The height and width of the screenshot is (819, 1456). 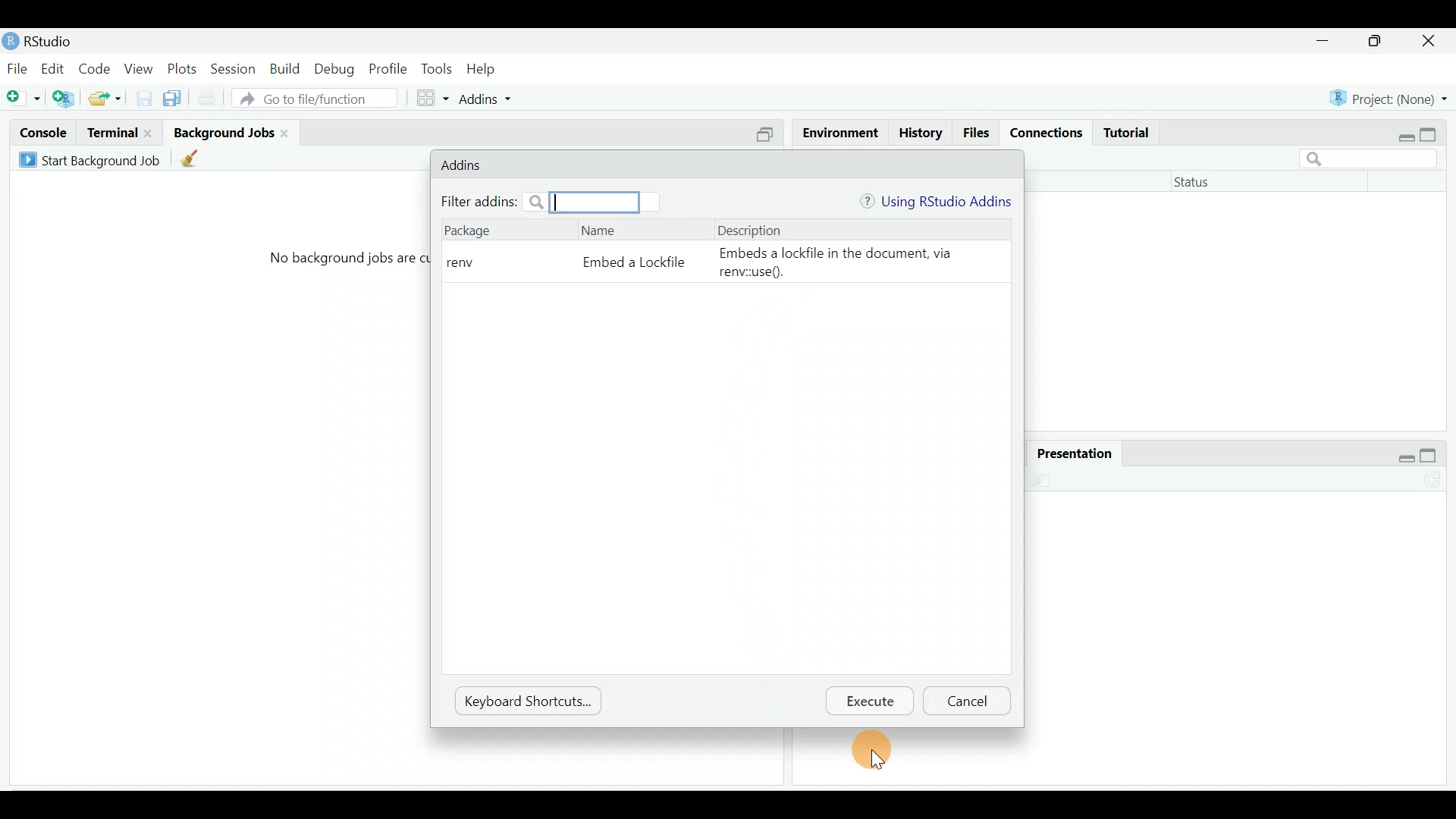 What do you see at coordinates (490, 101) in the screenshot?
I see `Addins` at bounding box center [490, 101].